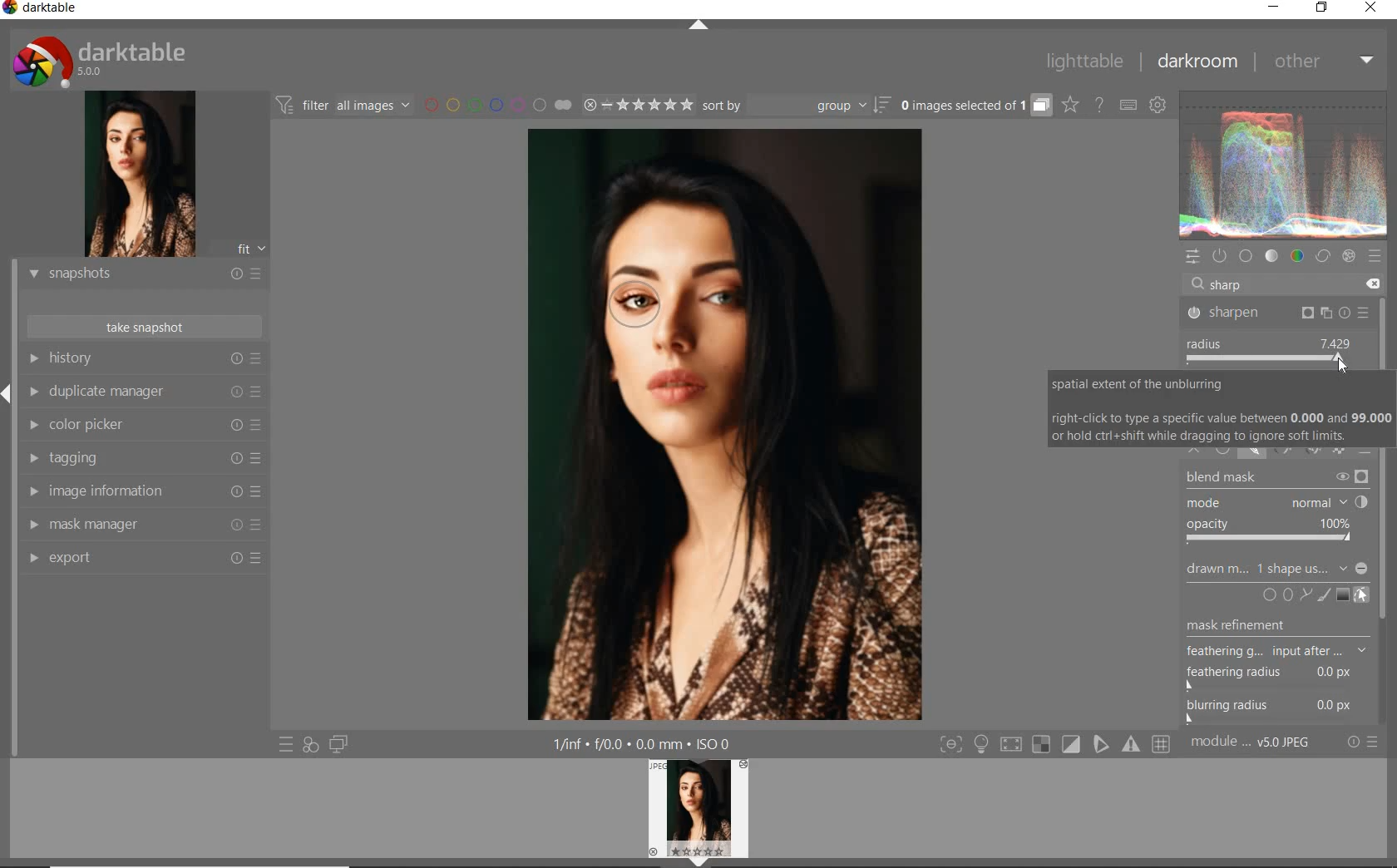 This screenshot has height=868, width=1397. I want to click on color, so click(1298, 257).